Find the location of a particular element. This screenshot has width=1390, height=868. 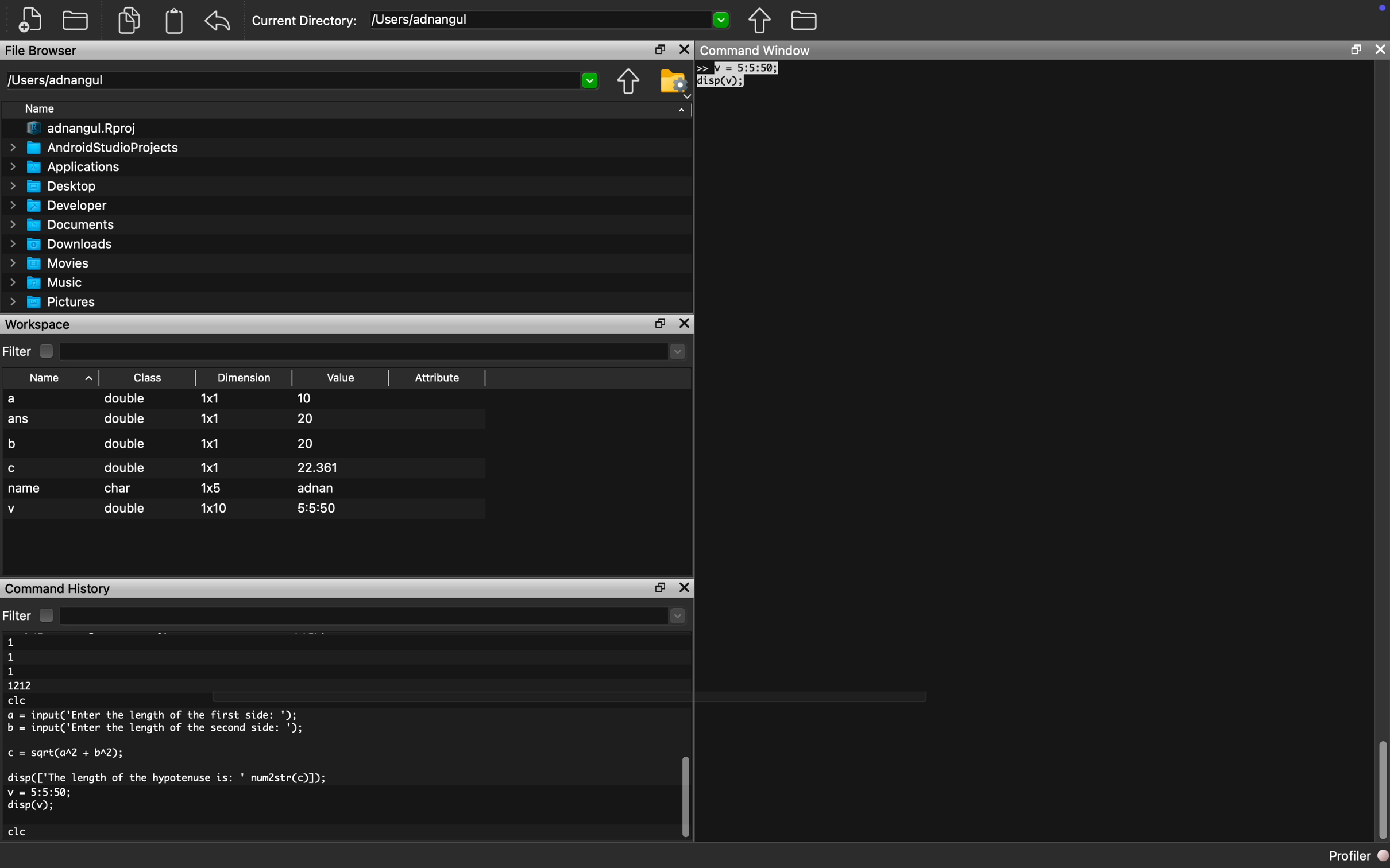

1x5 is located at coordinates (211, 488).